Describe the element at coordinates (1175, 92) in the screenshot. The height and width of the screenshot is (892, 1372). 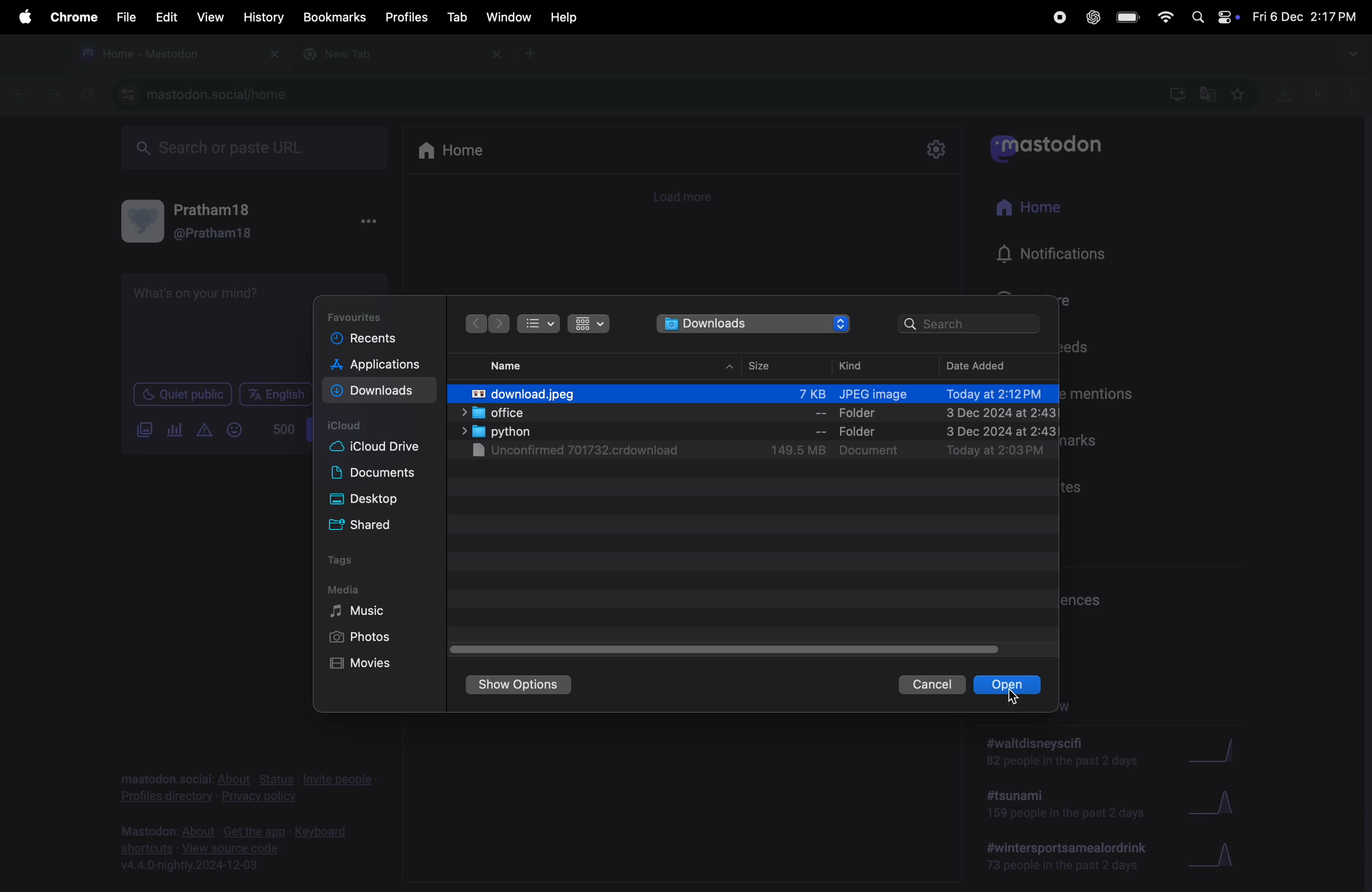
I see `downloads` at that location.